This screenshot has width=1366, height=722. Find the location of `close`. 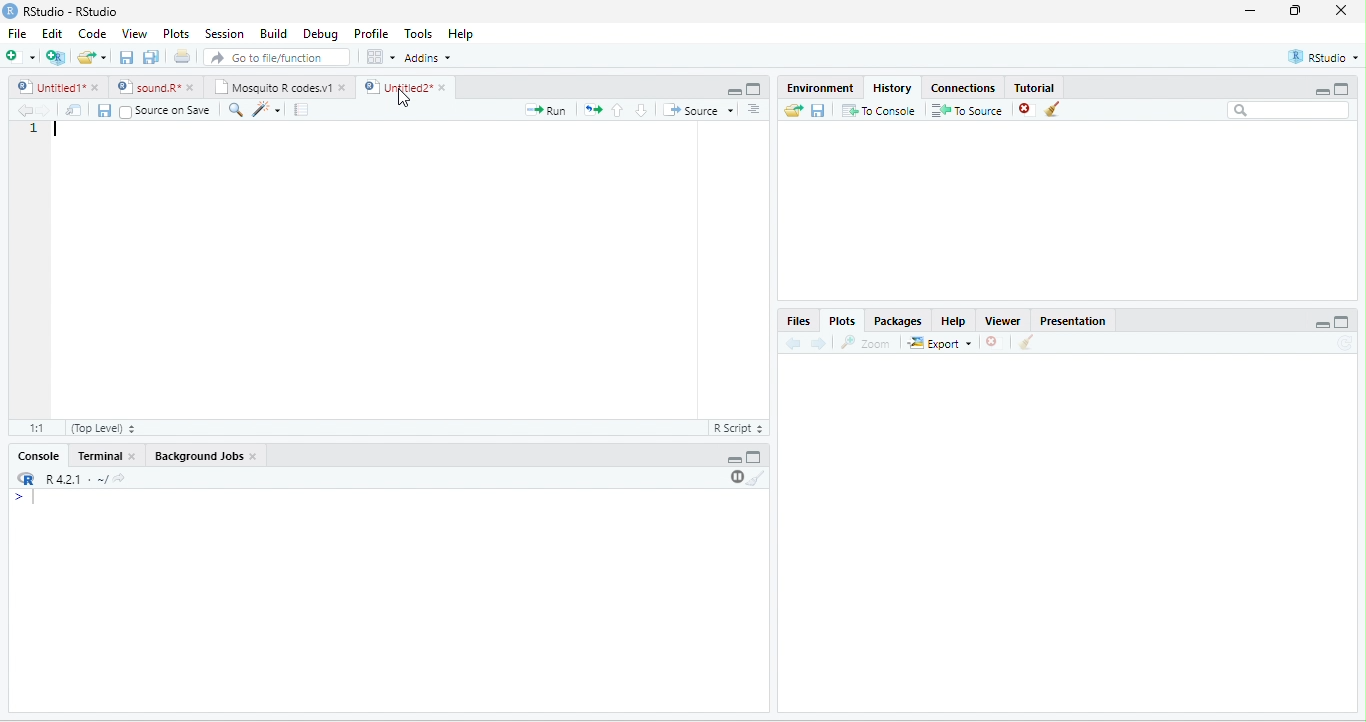

close is located at coordinates (991, 342).